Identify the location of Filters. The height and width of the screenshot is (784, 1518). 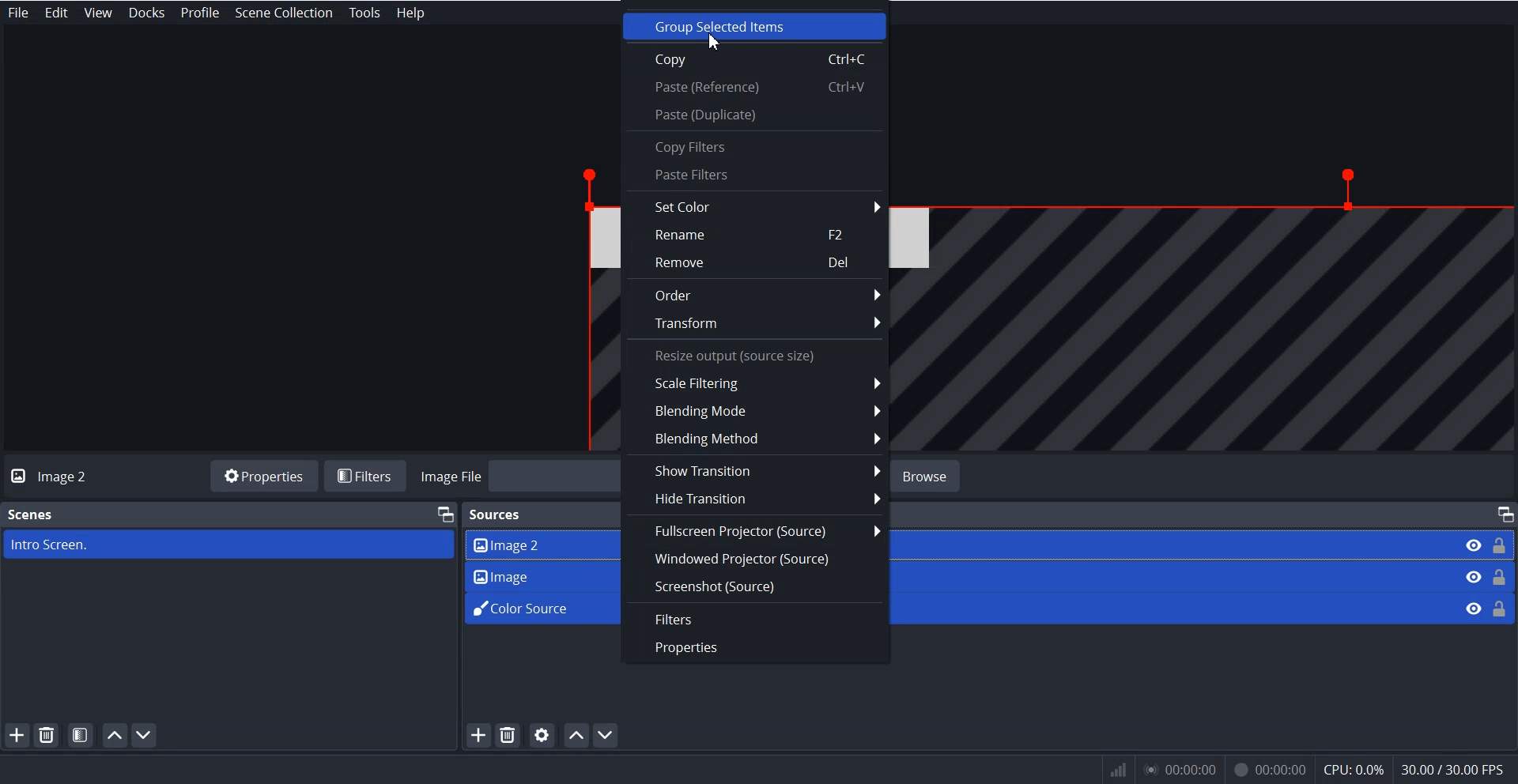
(368, 476).